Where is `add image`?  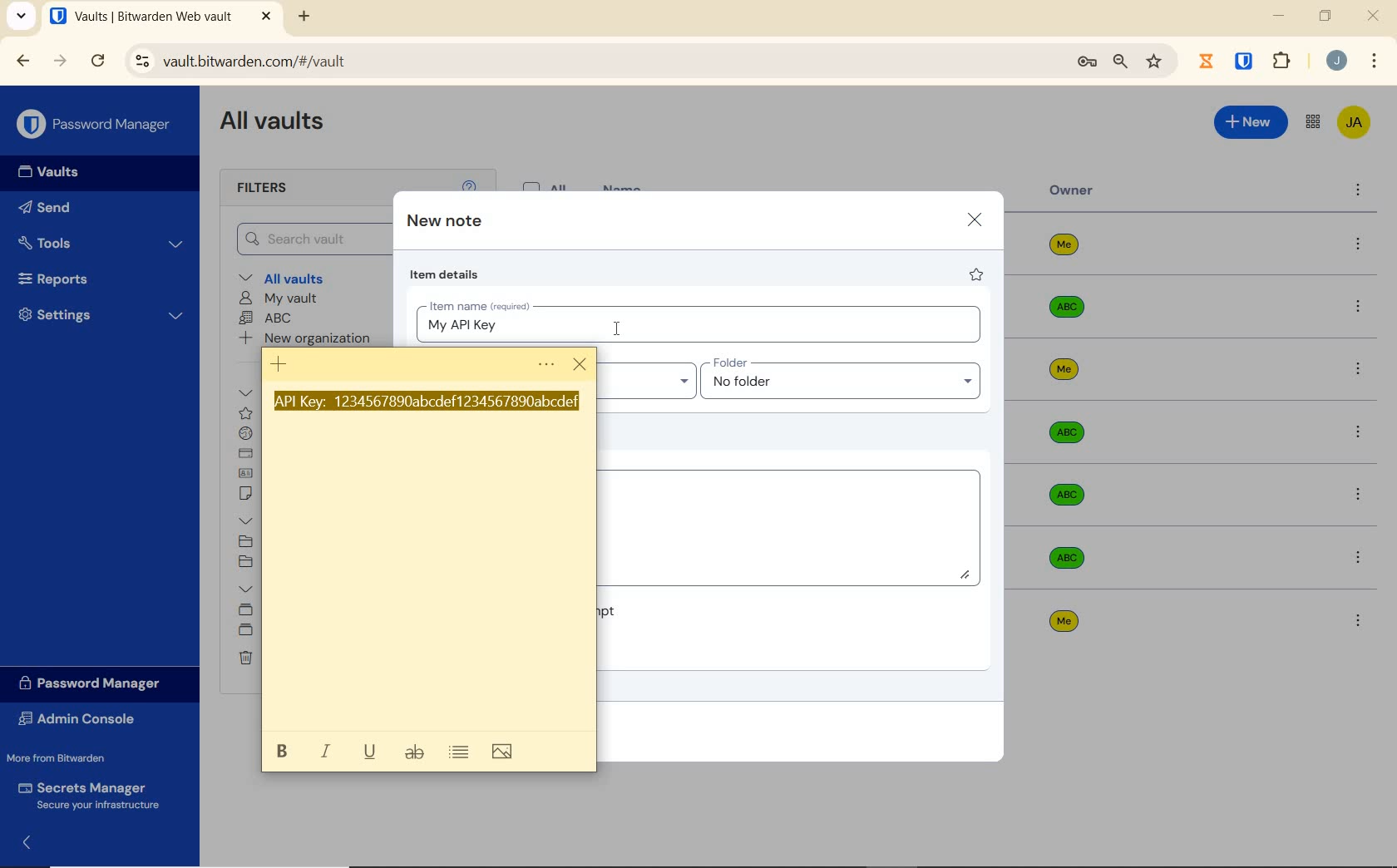 add image is located at coordinates (504, 752).